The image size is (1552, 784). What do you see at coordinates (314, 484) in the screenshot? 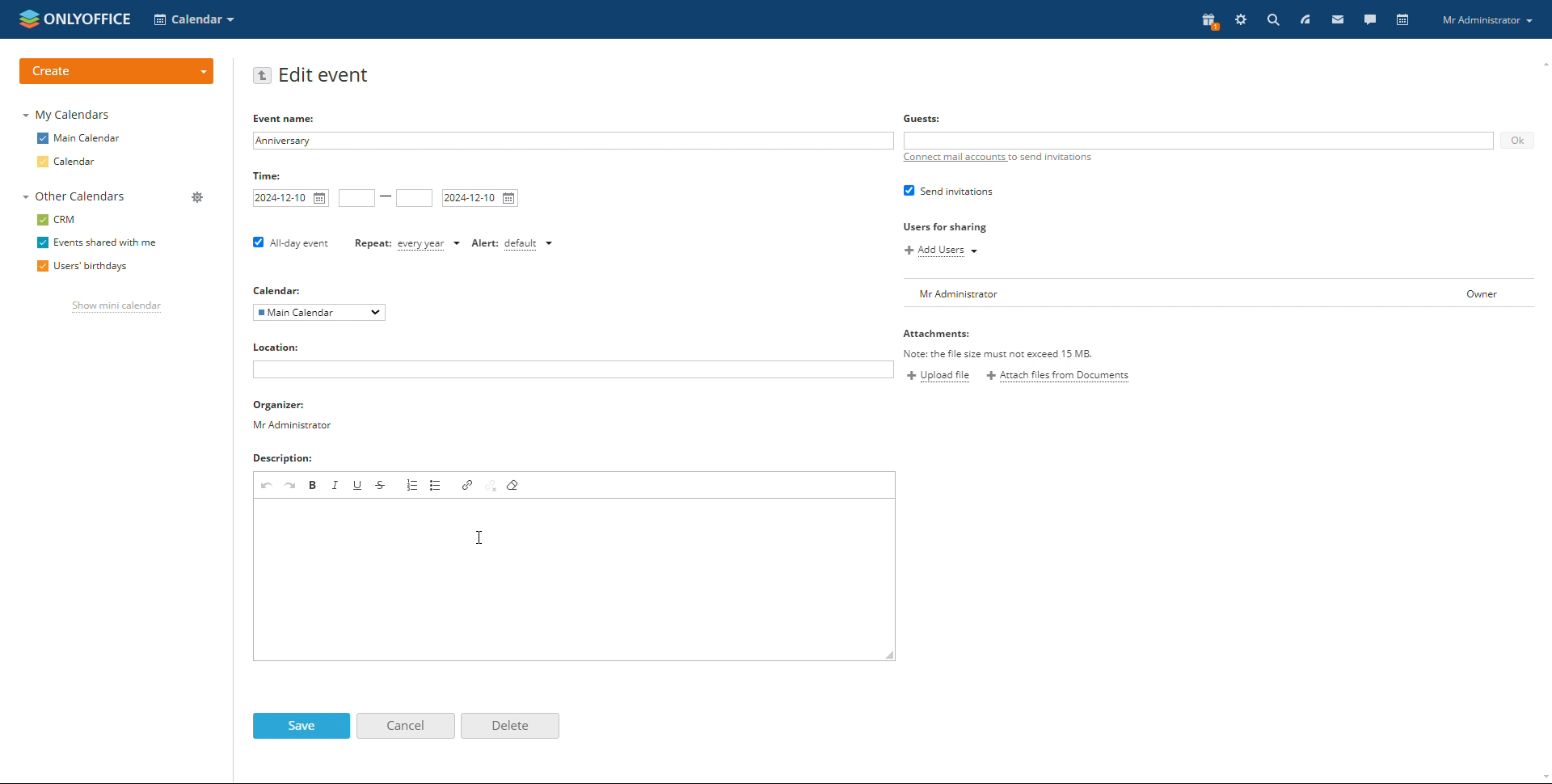
I see `bold` at bounding box center [314, 484].